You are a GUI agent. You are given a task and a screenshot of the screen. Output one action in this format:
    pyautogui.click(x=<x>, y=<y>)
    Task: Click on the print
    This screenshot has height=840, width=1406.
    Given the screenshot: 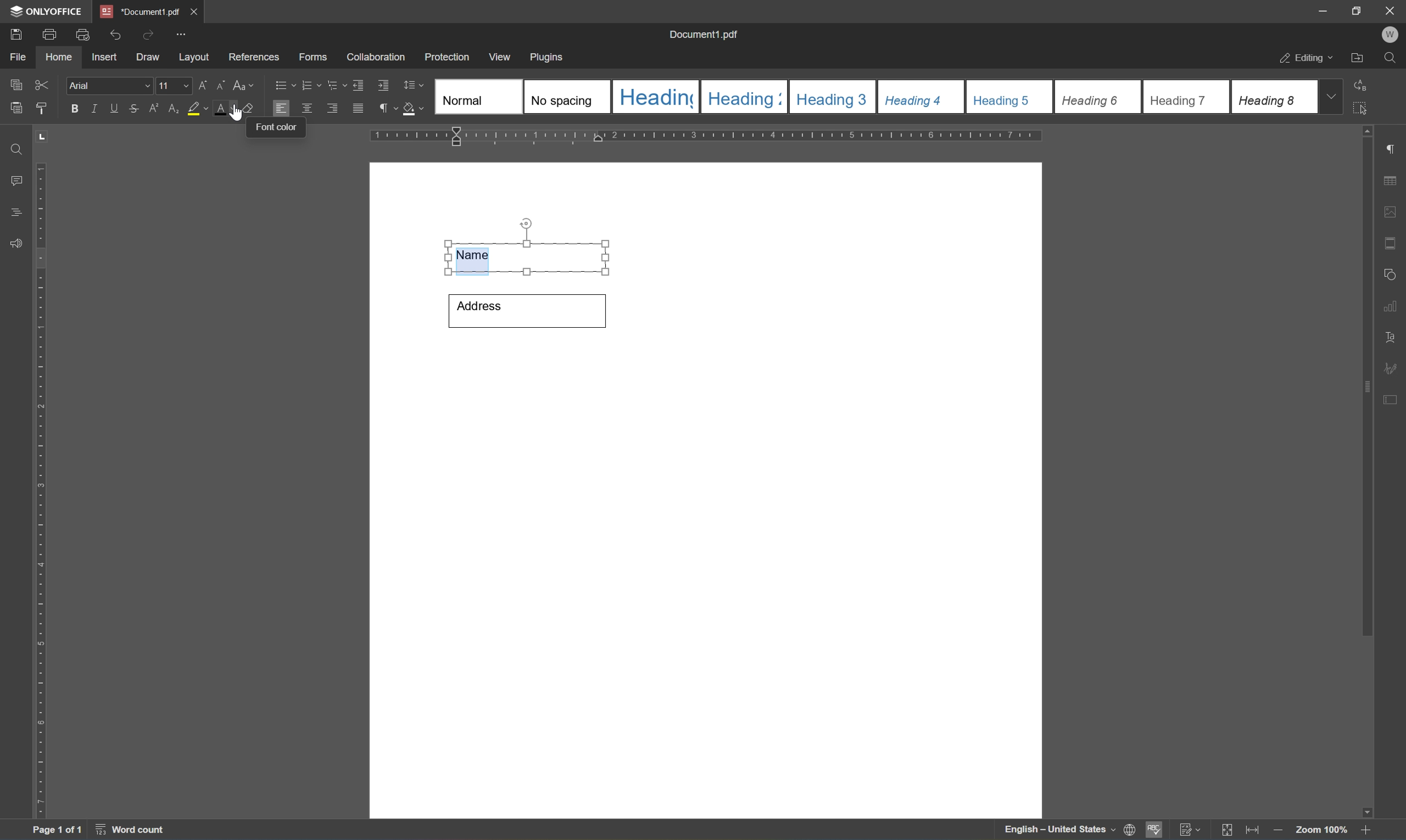 What is the action you would take?
    pyautogui.click(x=47, y=36)
    